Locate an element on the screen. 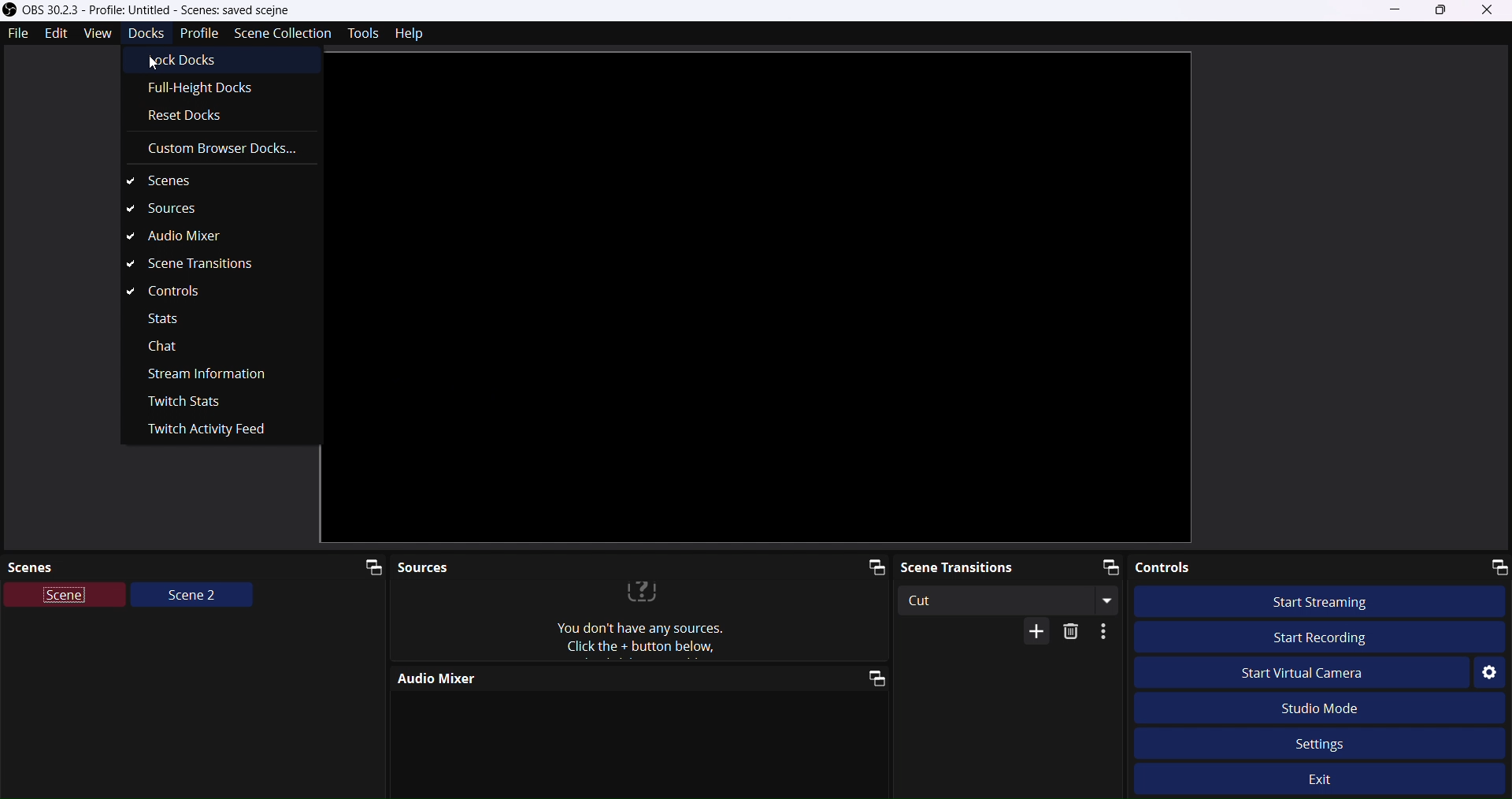 This screenshot has height=799, width=1512. Scenes is located at coordinates (165, 565).